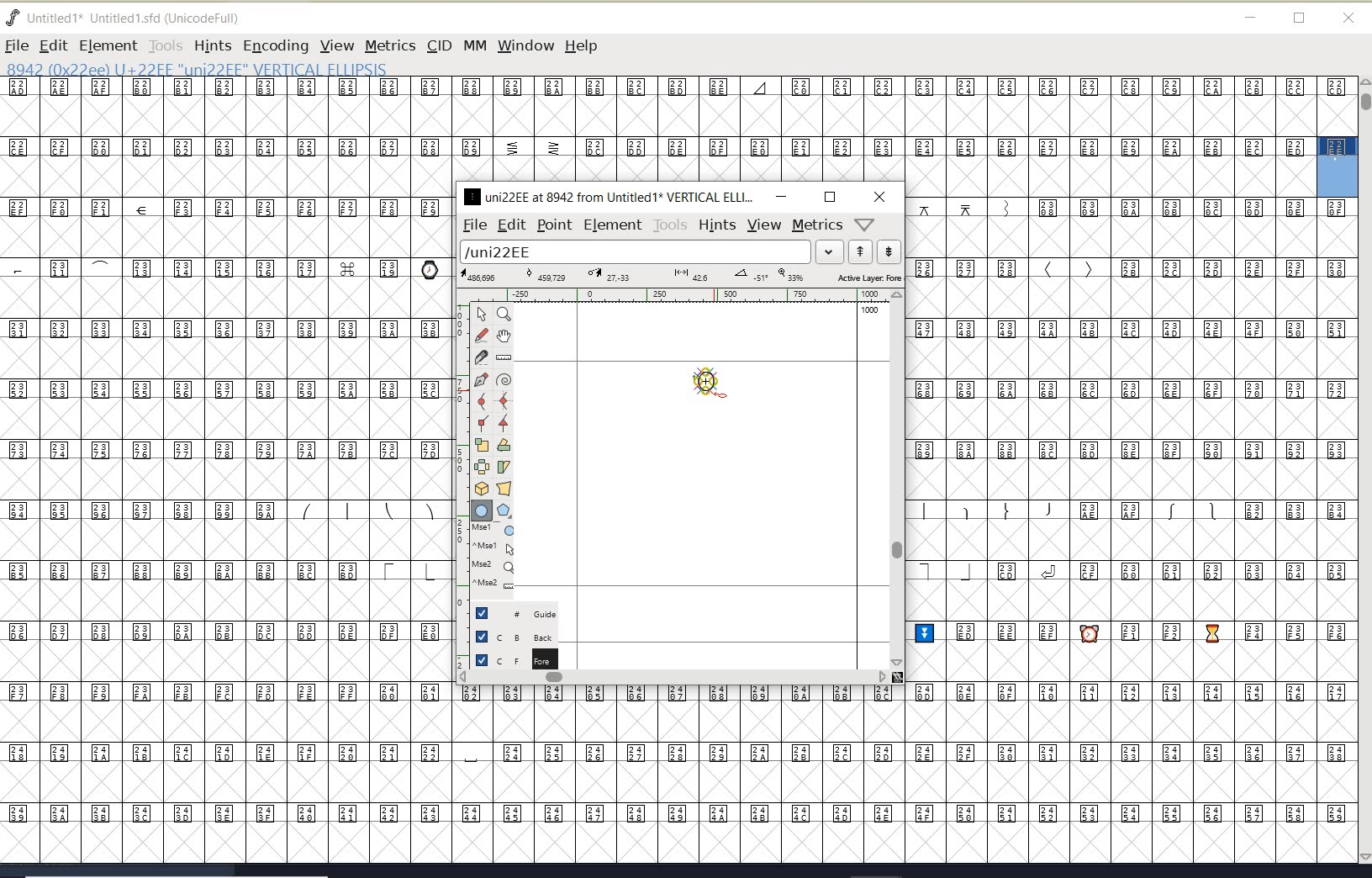 The height and width of the screenshot is (878, 1372). I want to click on GLYPHY CHARACTERS & NUMBERS, so click(455, 773).